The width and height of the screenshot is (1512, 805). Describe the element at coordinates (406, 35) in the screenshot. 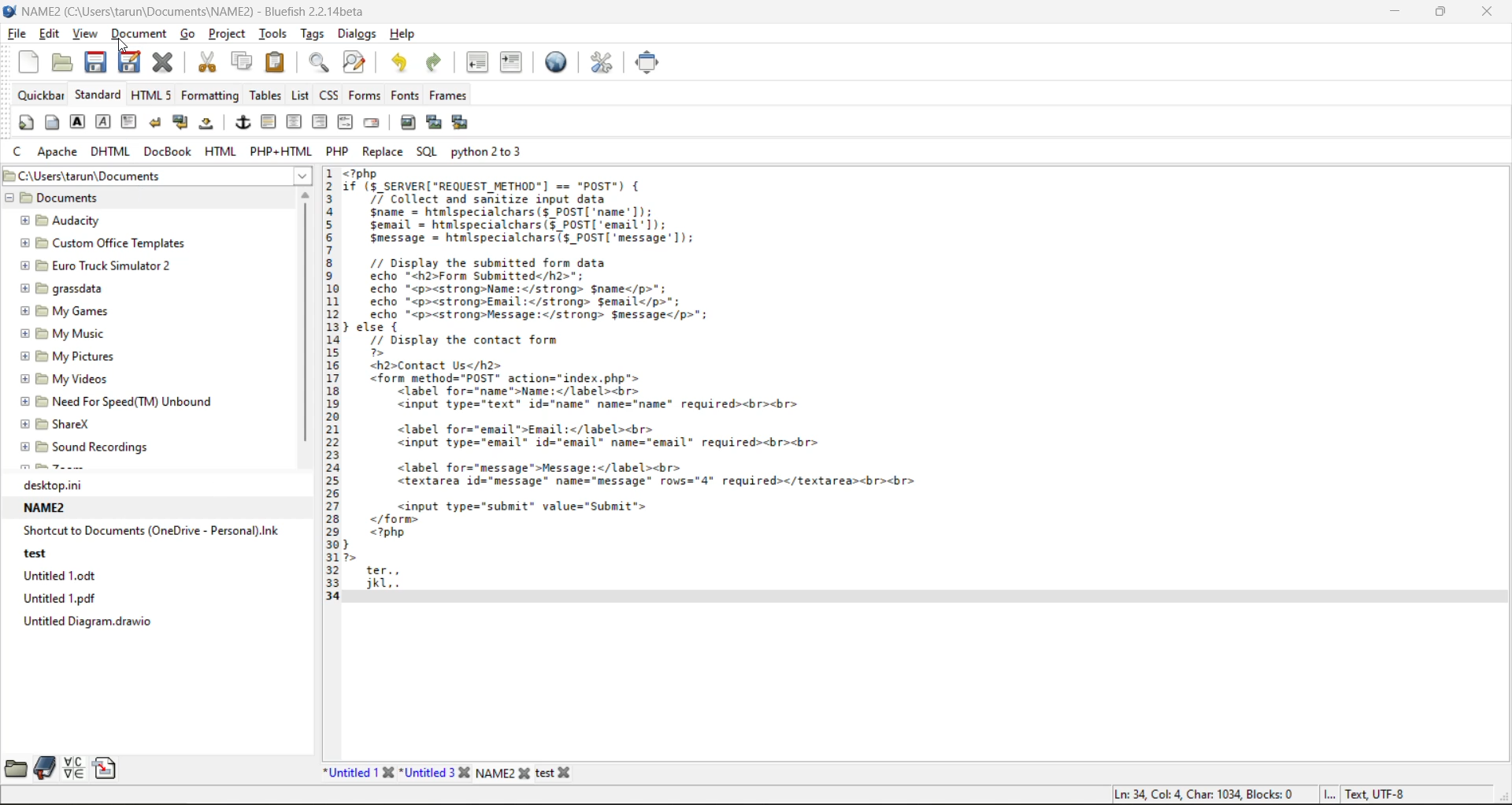

I see `help` at that location.